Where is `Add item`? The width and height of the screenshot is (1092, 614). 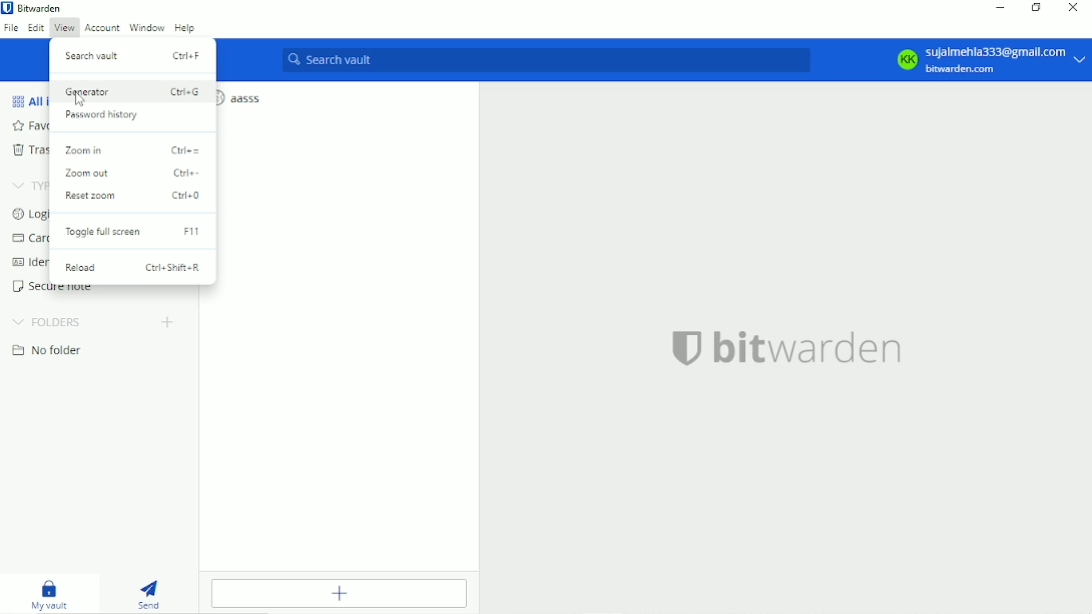
Add item is located at coordinates (341, 594).